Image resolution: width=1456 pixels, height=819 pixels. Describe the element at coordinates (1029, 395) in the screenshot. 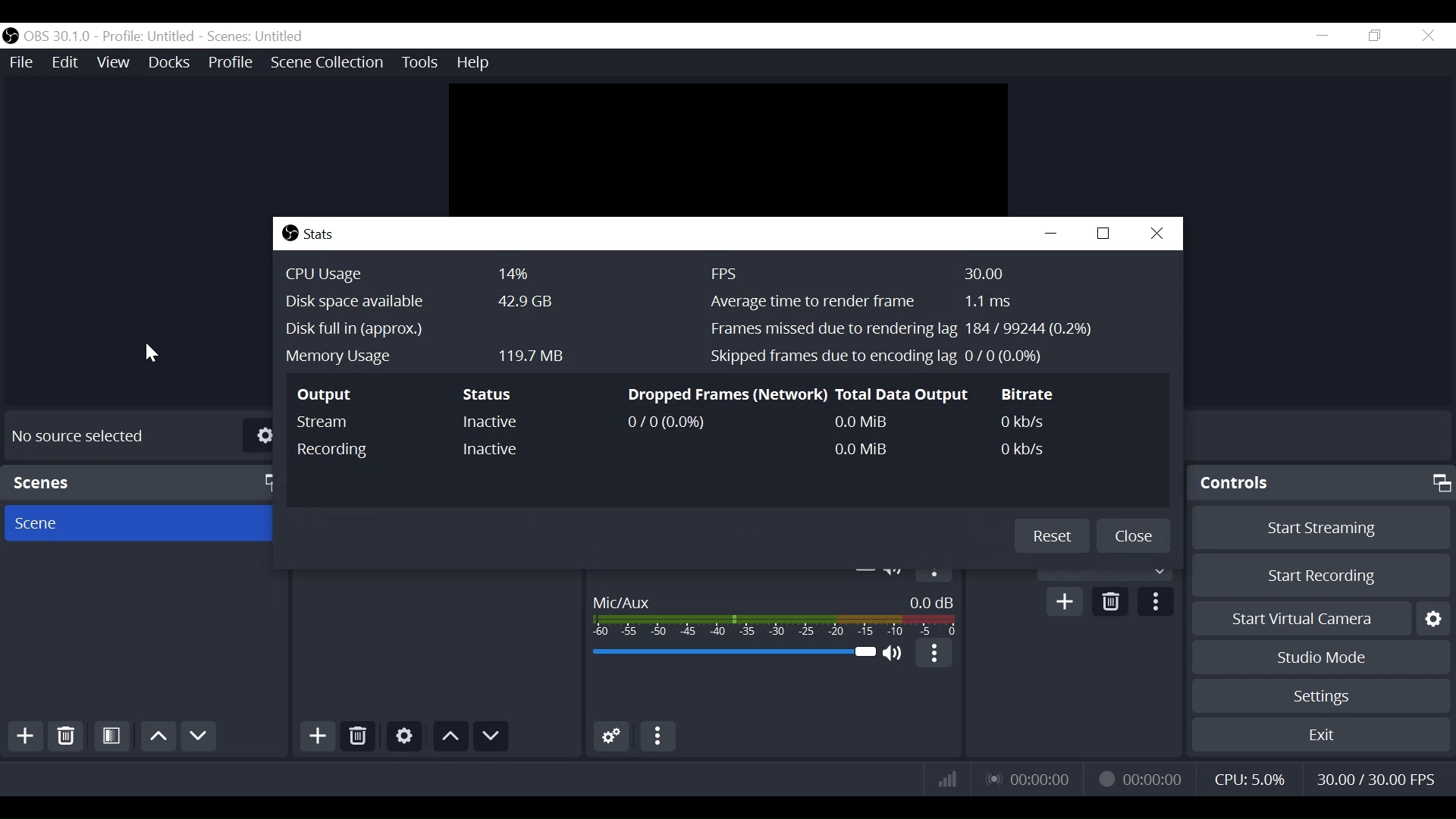

I see `Bitrate` at that location.